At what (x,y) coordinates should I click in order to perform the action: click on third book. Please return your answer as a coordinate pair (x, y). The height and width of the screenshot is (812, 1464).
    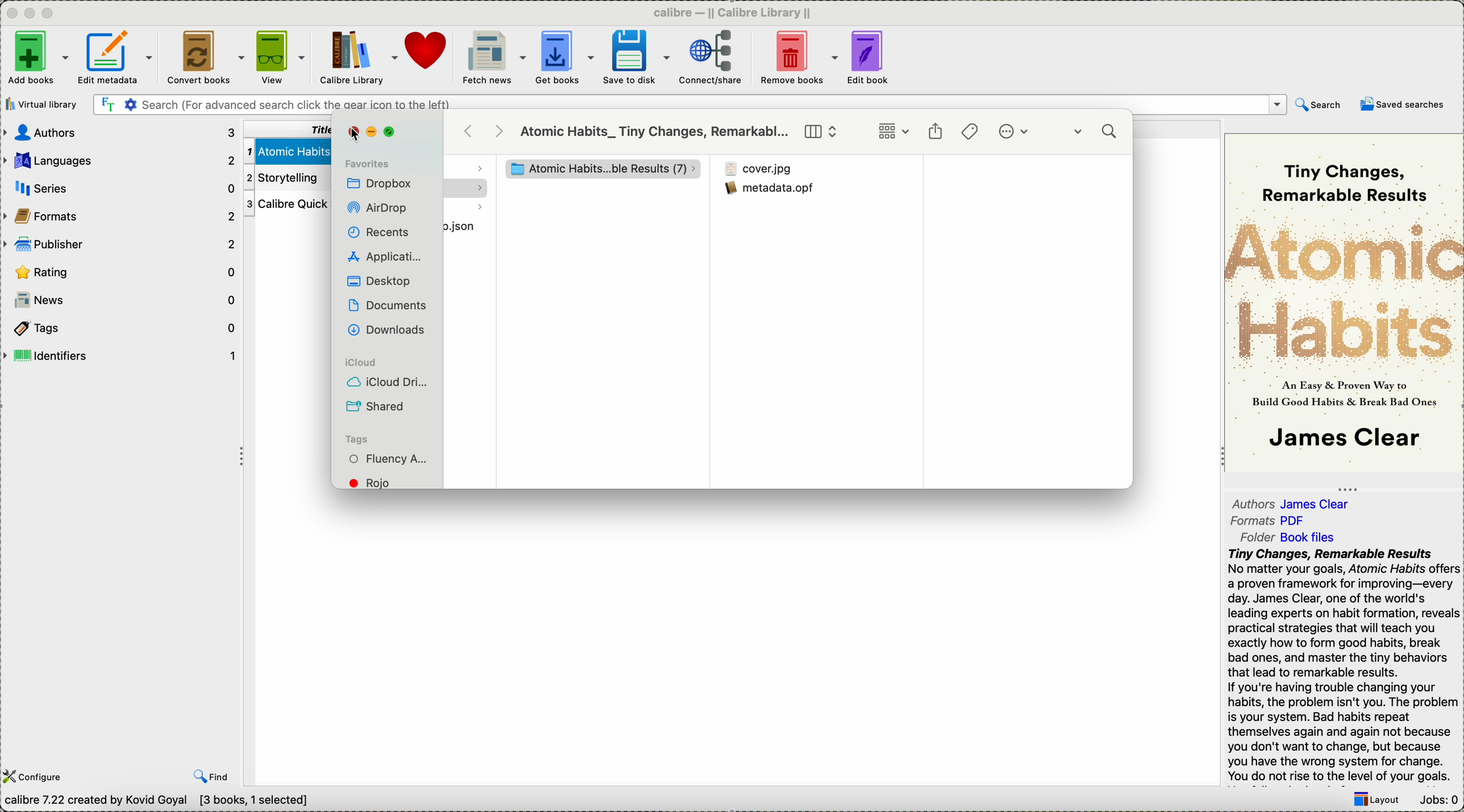
    Looking at the image, I should click on (285, 205).